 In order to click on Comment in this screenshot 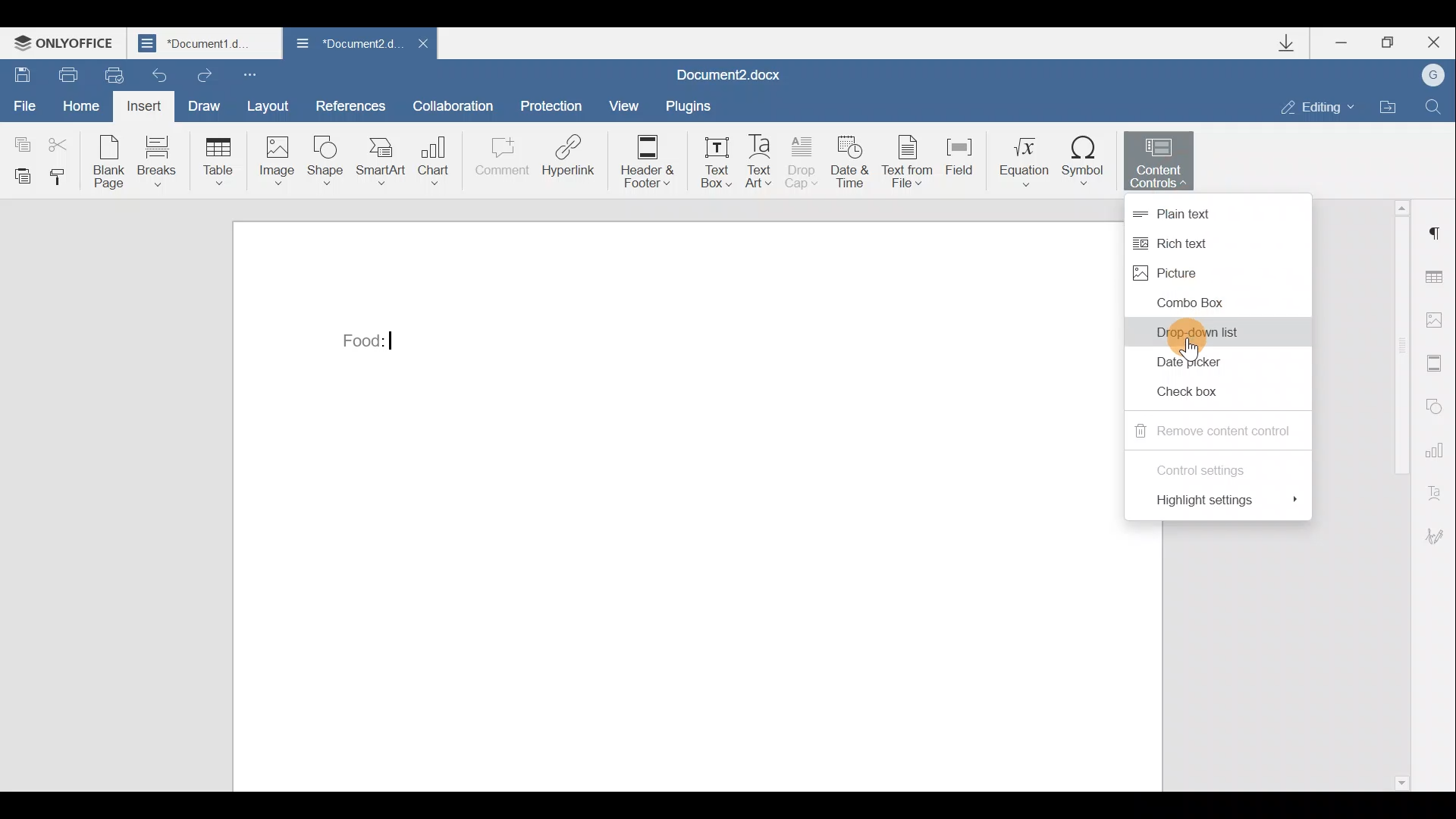, I will do `click(501, 164)`.